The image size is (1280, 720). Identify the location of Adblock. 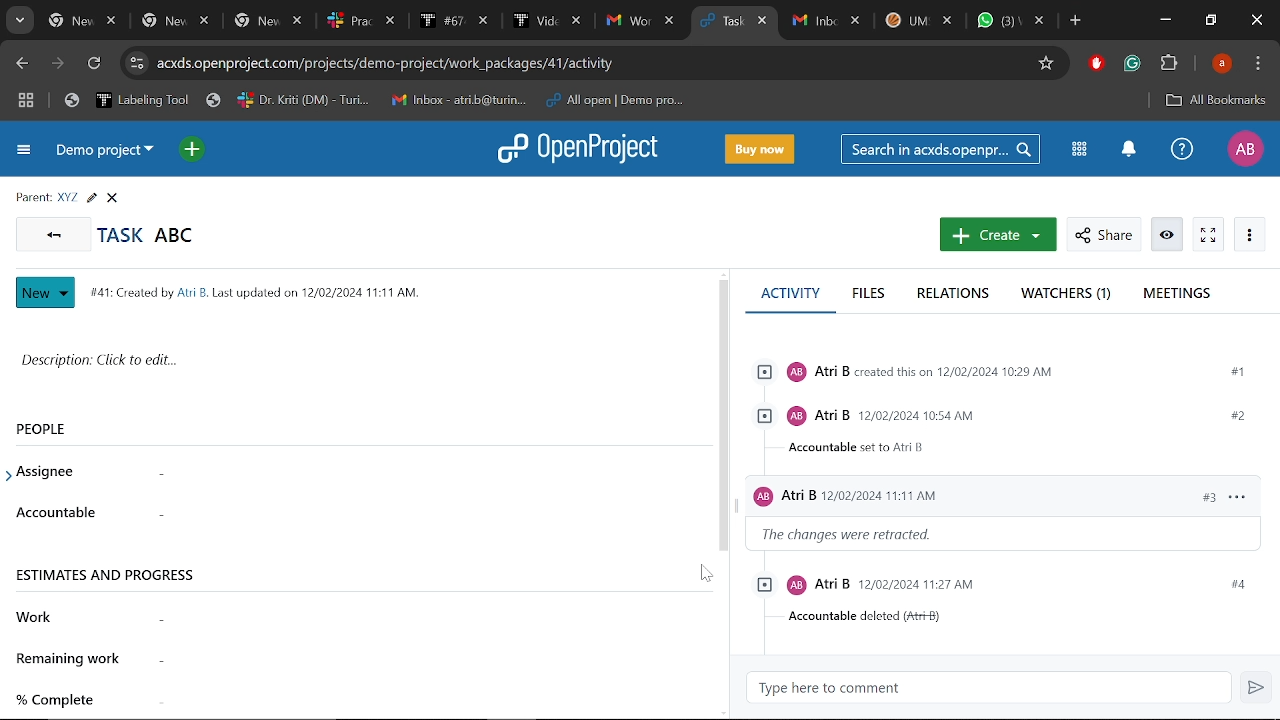
(1095, 65).